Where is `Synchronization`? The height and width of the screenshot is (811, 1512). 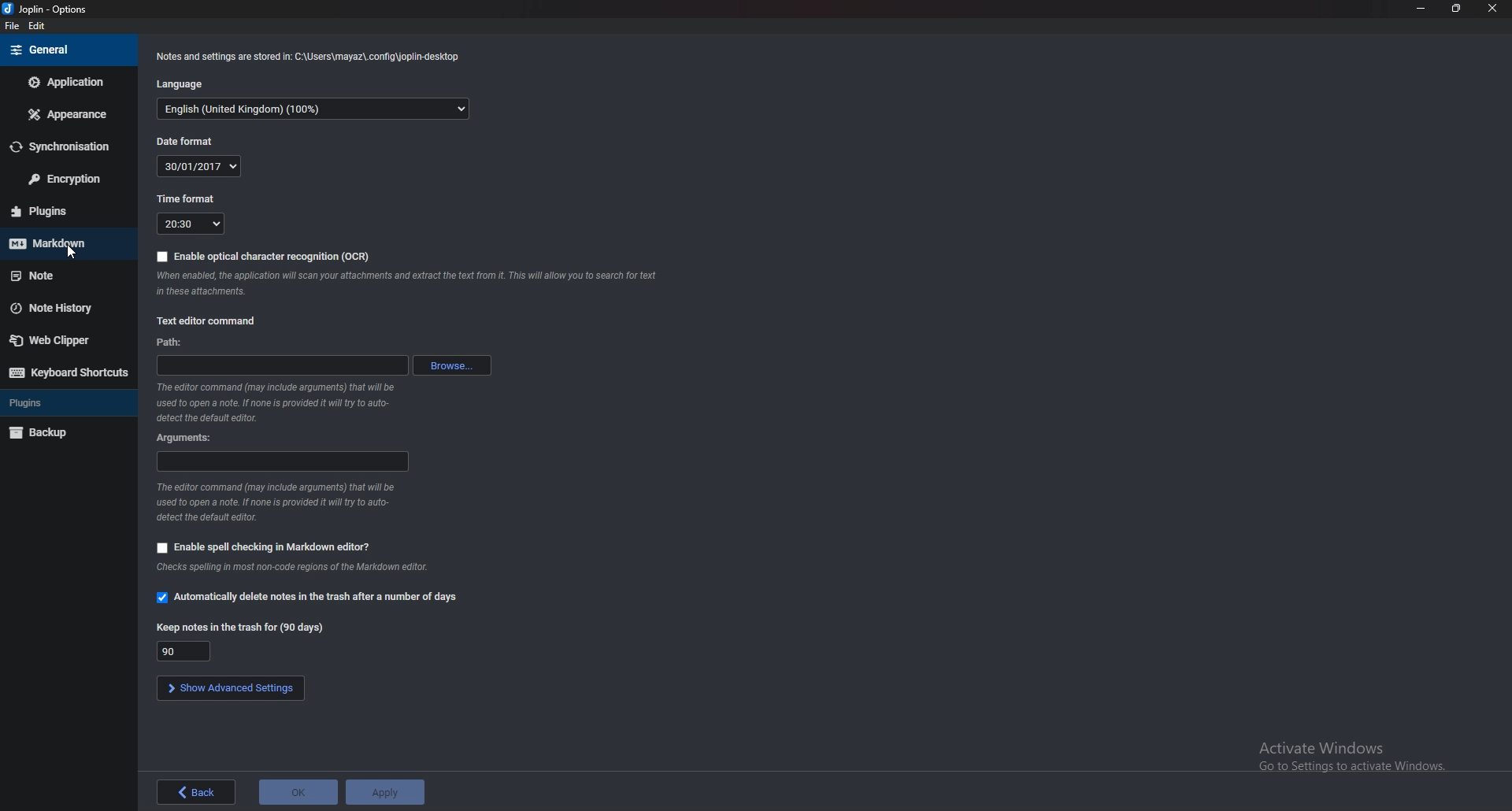
Synchronization is located at coordinates (66, 148).